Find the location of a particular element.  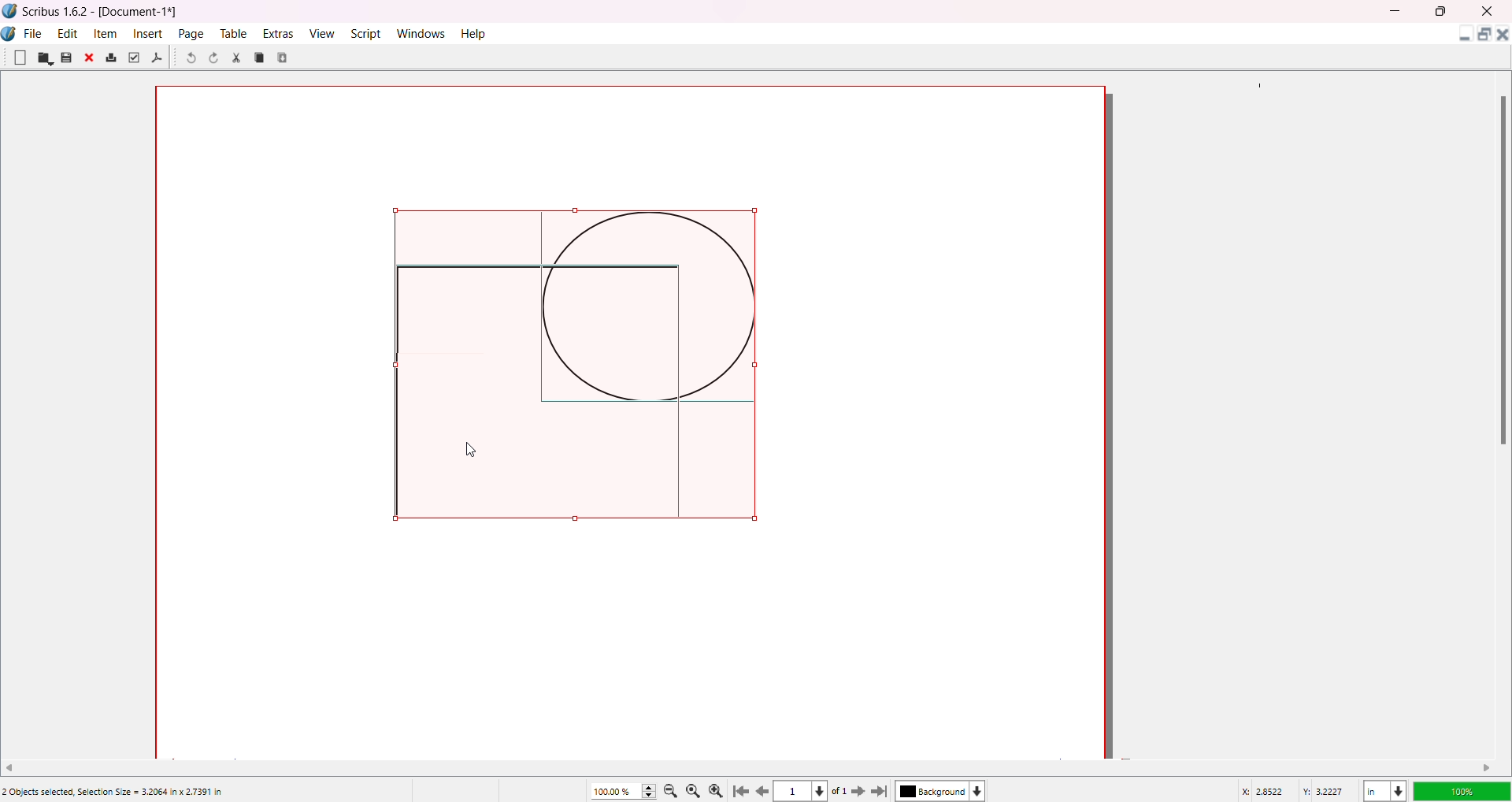

Move right is located at coordinates (1488, 767).